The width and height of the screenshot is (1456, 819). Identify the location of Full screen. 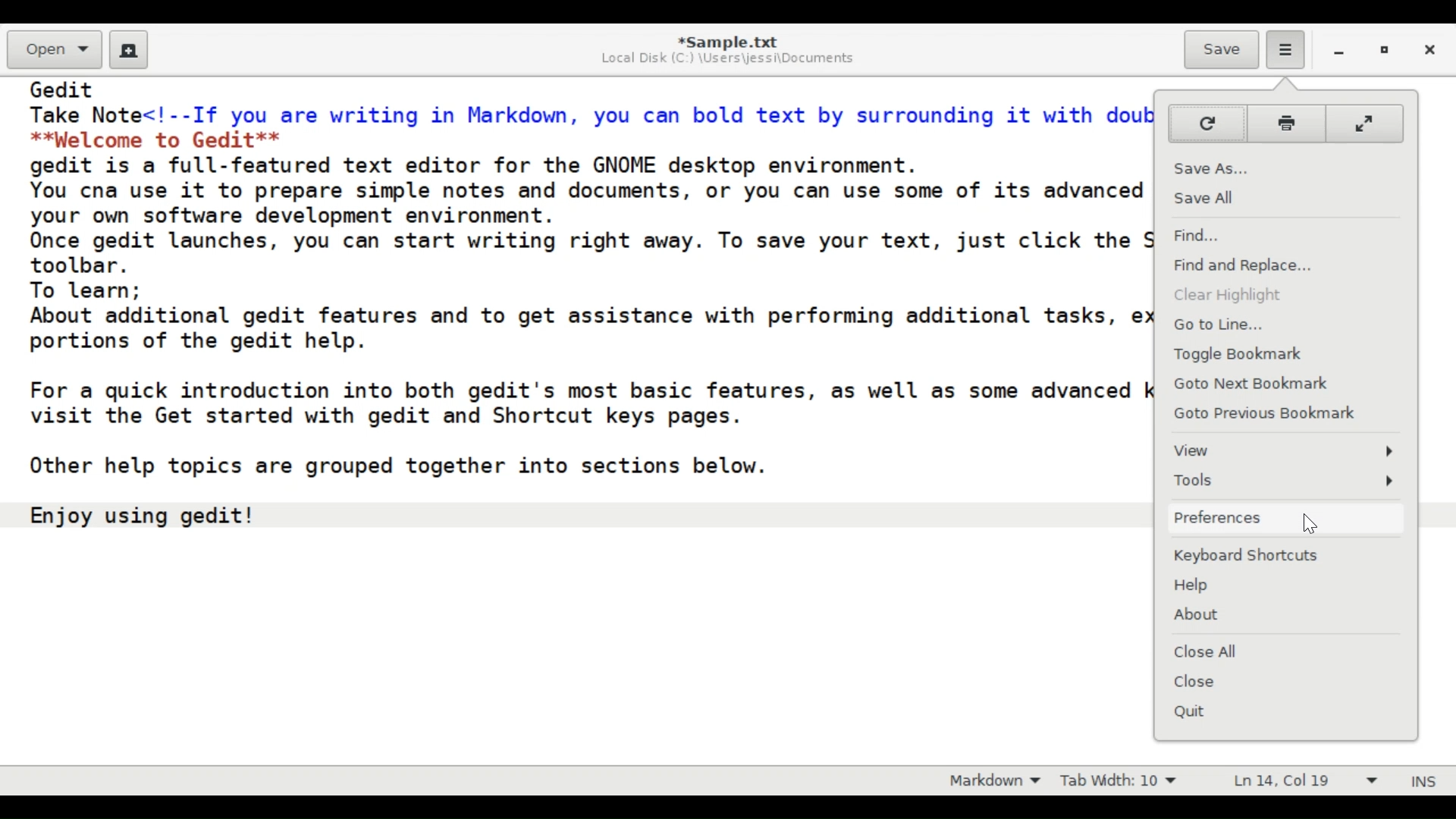
(1367, 123).